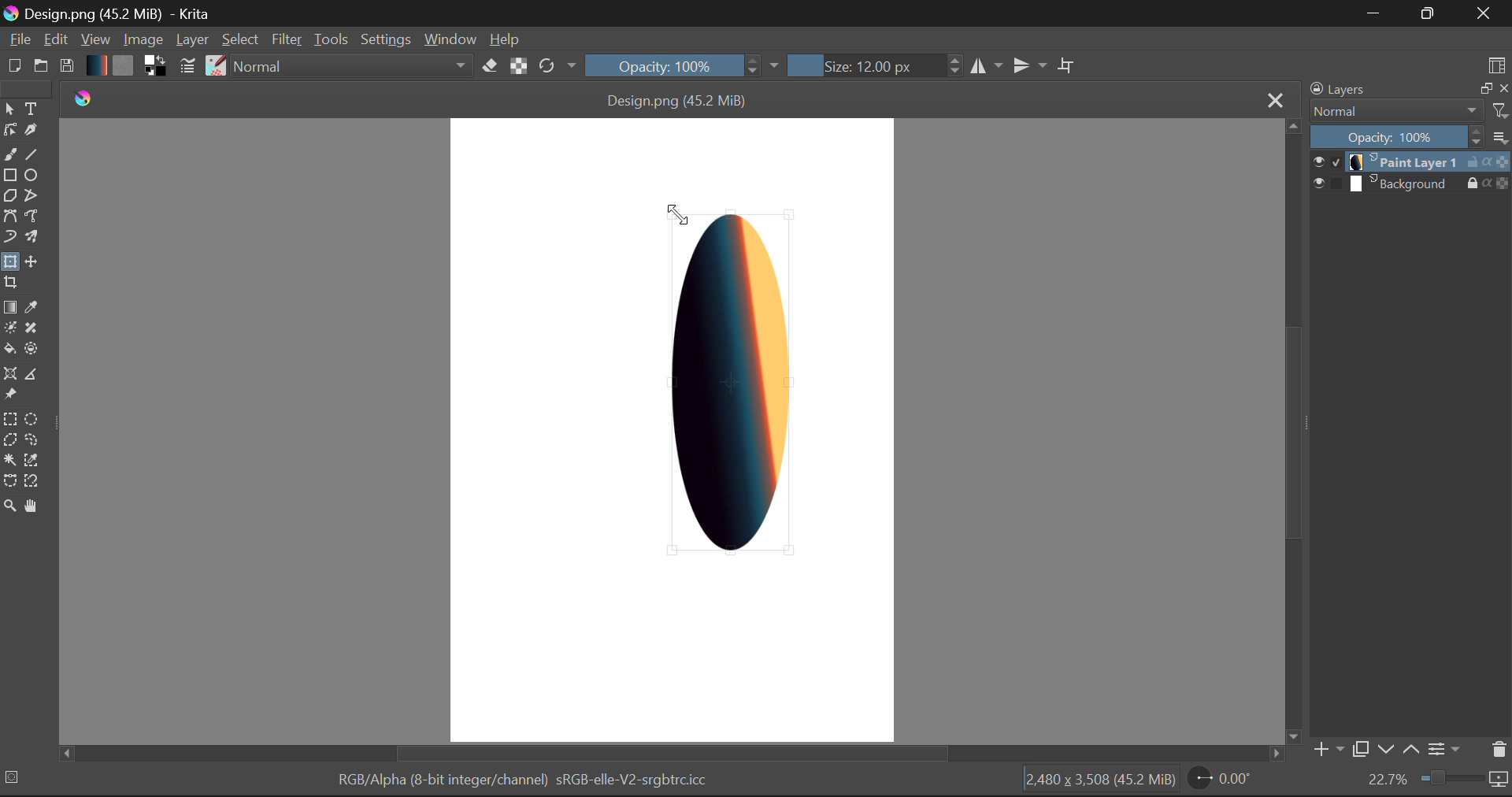  Describe the element at coordinates (1437, 781) in the screenshot. I see `Zoom` at that location.